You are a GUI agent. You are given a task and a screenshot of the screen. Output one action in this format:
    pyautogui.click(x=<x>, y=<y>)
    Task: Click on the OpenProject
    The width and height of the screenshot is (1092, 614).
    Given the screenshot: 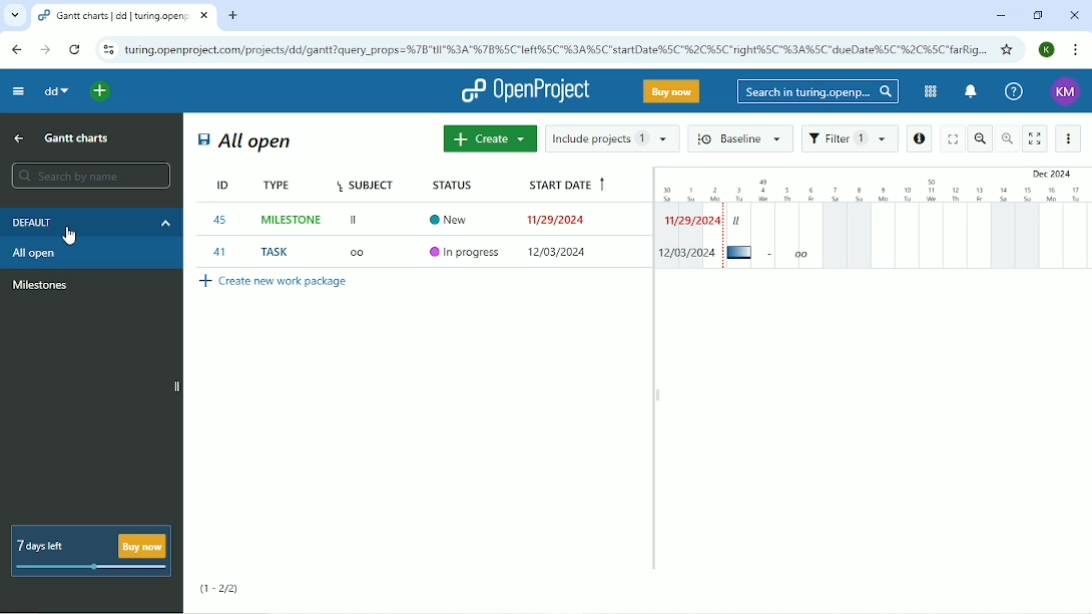 What is the action you would take?
    pyautogui.click(x=527, y=91)
    